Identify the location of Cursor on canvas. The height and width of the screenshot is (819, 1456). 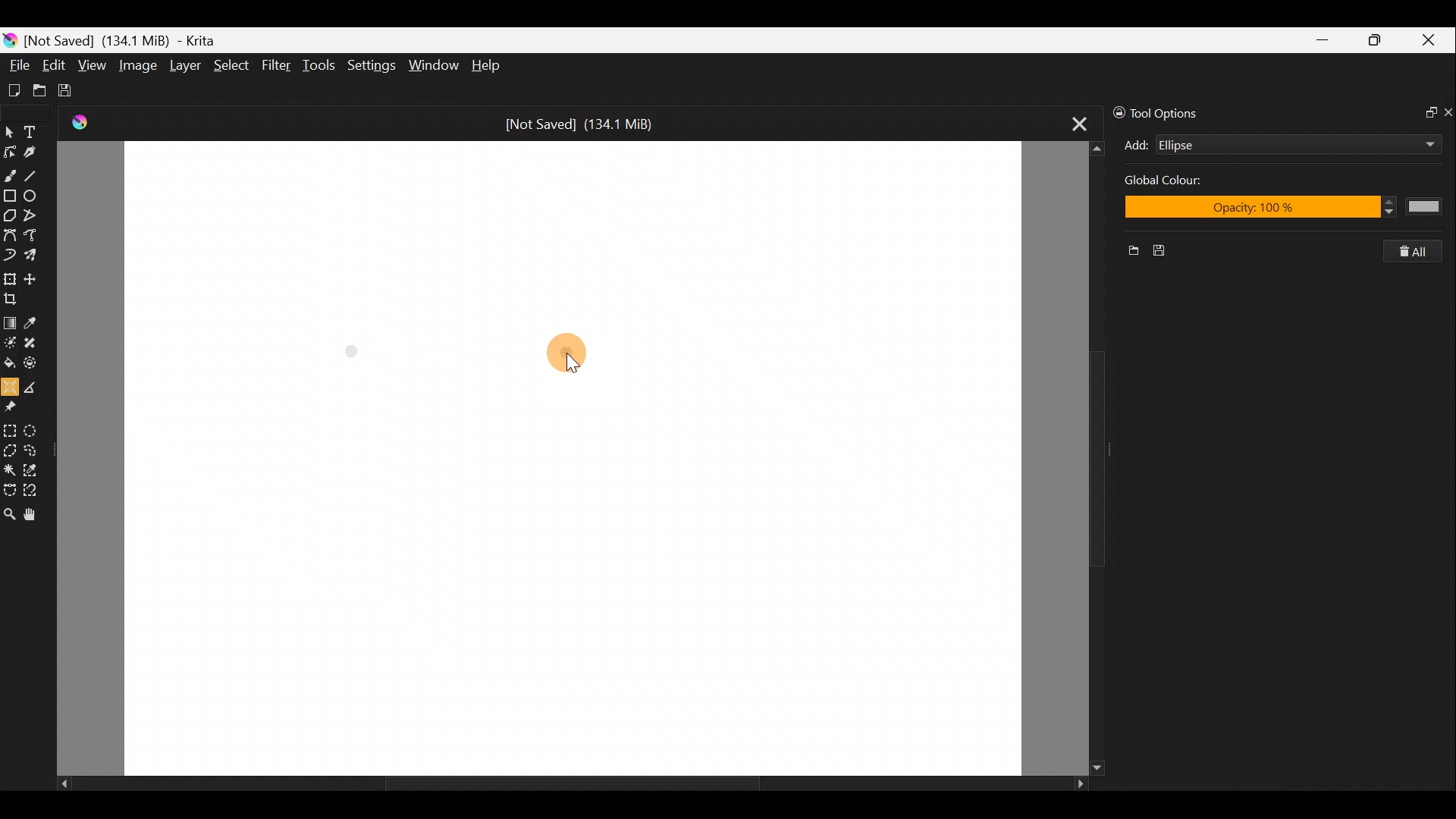
(575, 356).